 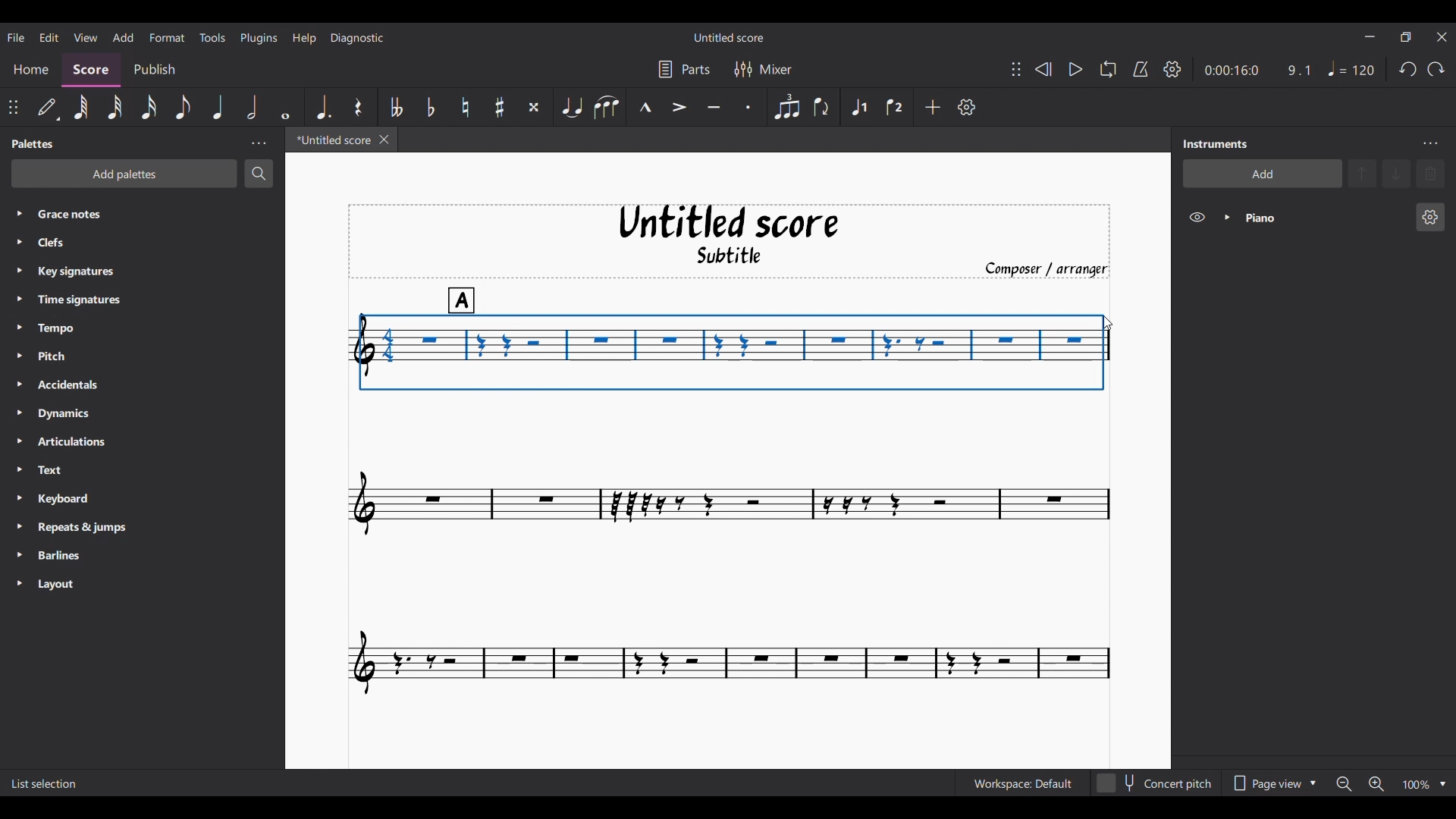 What do you see at coordinates (1172, 68) in the screenshot?
I see `Playback settings` at bounding box center [1172, 68].